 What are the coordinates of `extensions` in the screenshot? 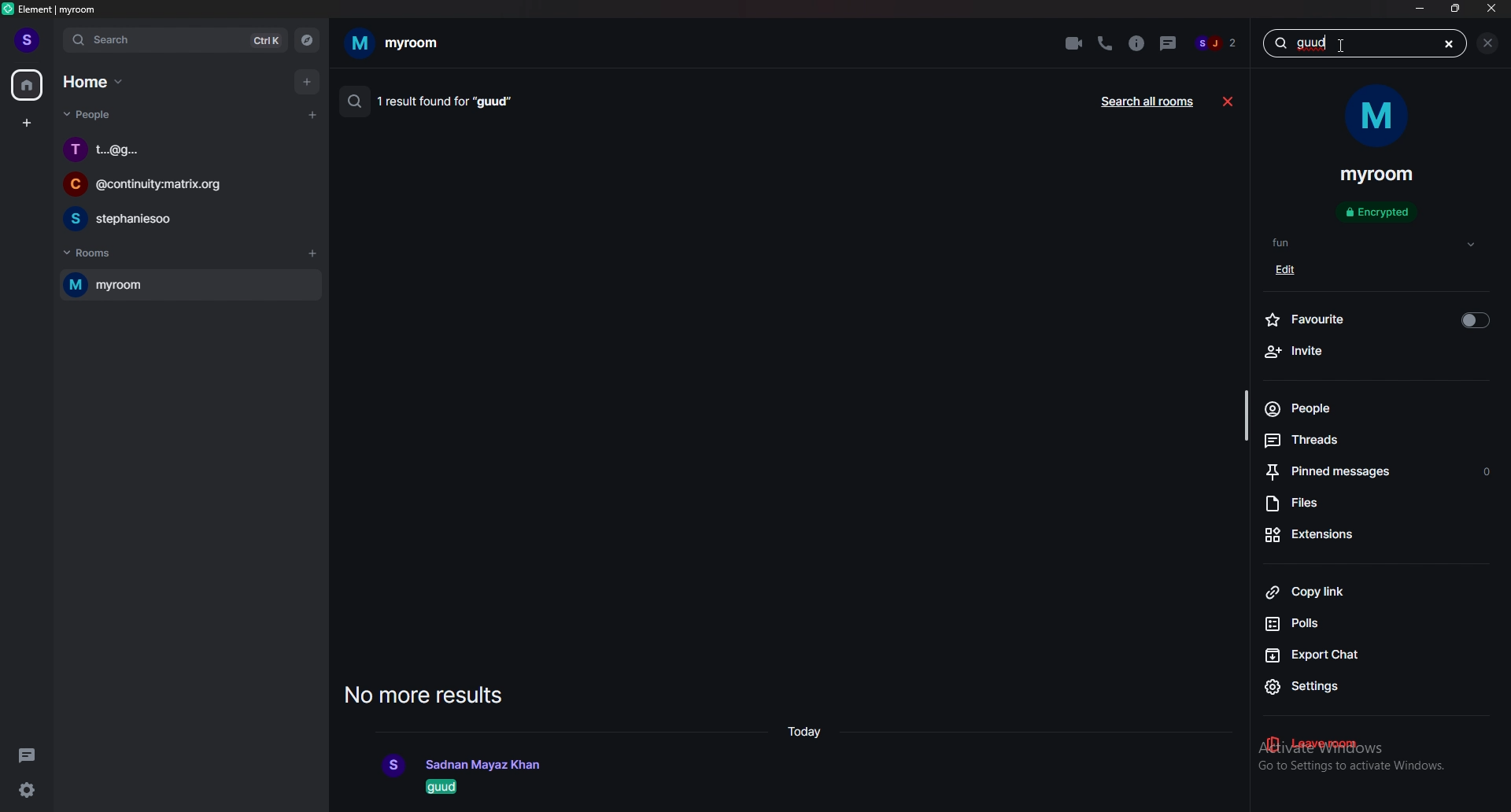 It's located at (1356, 533).